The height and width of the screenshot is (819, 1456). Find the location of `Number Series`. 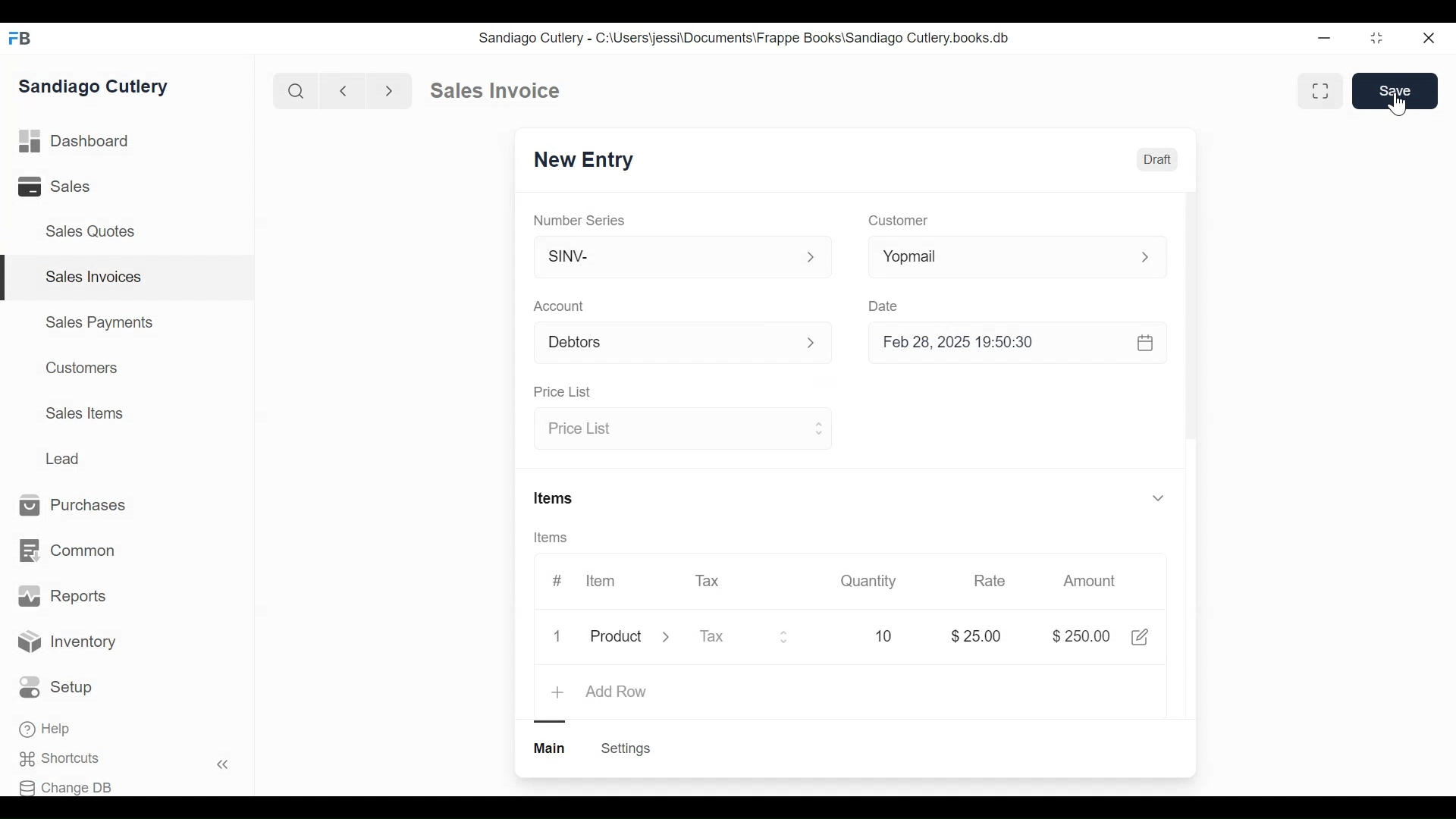

Number Series is located at coordinates (581, 220).